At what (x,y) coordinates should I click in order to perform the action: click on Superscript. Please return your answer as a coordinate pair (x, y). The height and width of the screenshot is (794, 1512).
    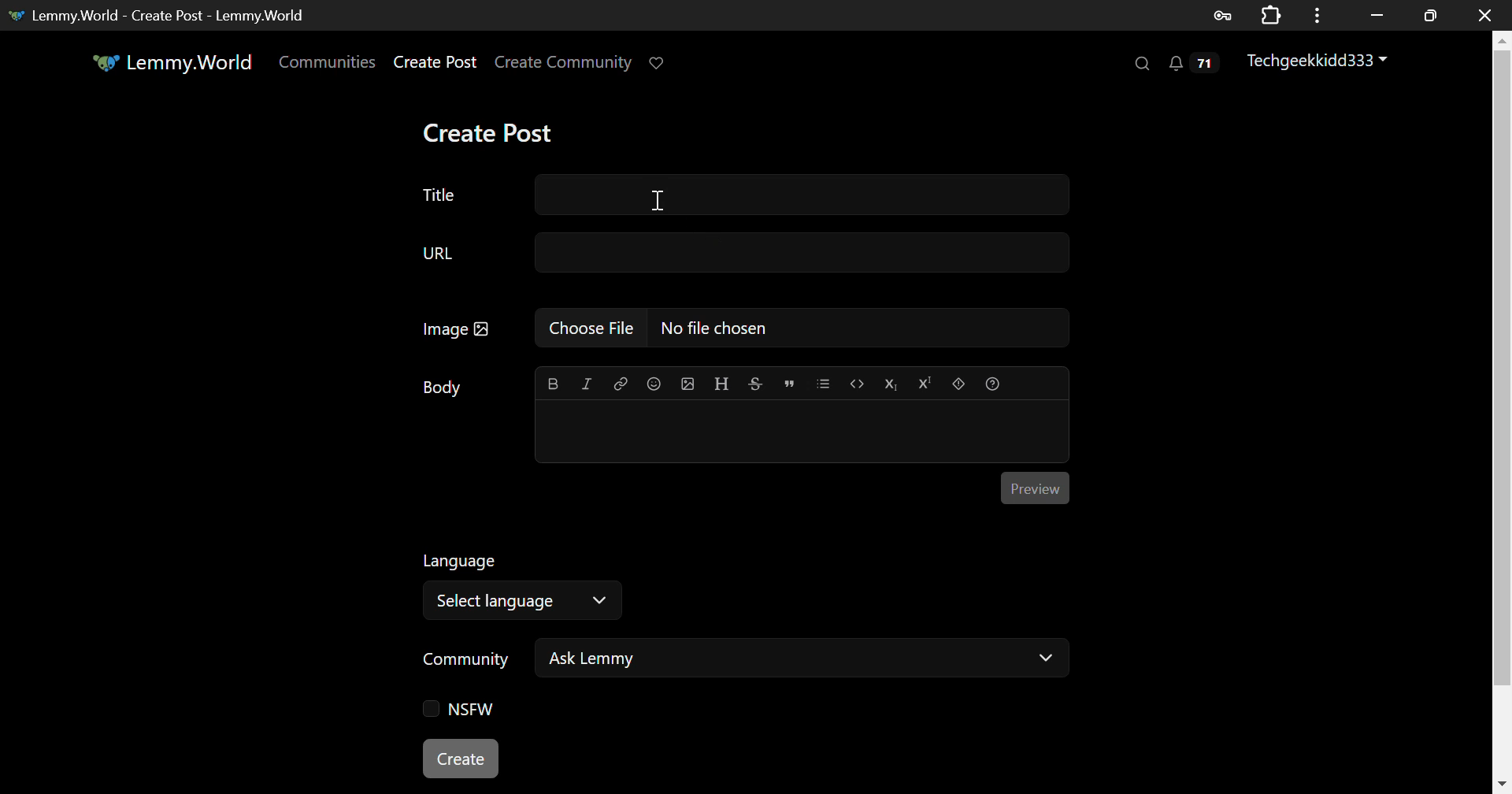
    Looking at the image, I should click on (923, 382).